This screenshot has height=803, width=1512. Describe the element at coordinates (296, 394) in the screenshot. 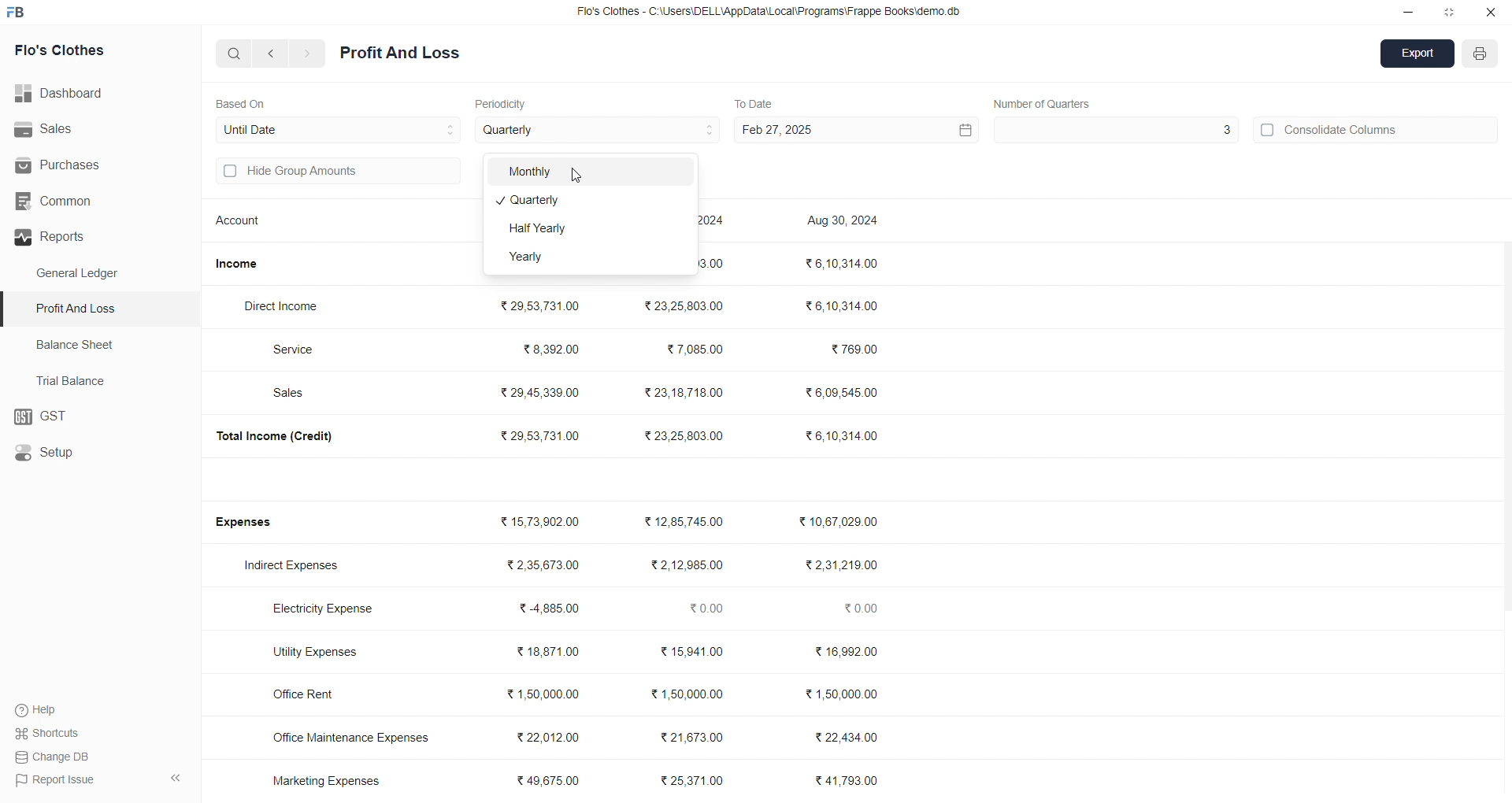

I see `Sales` at that location.